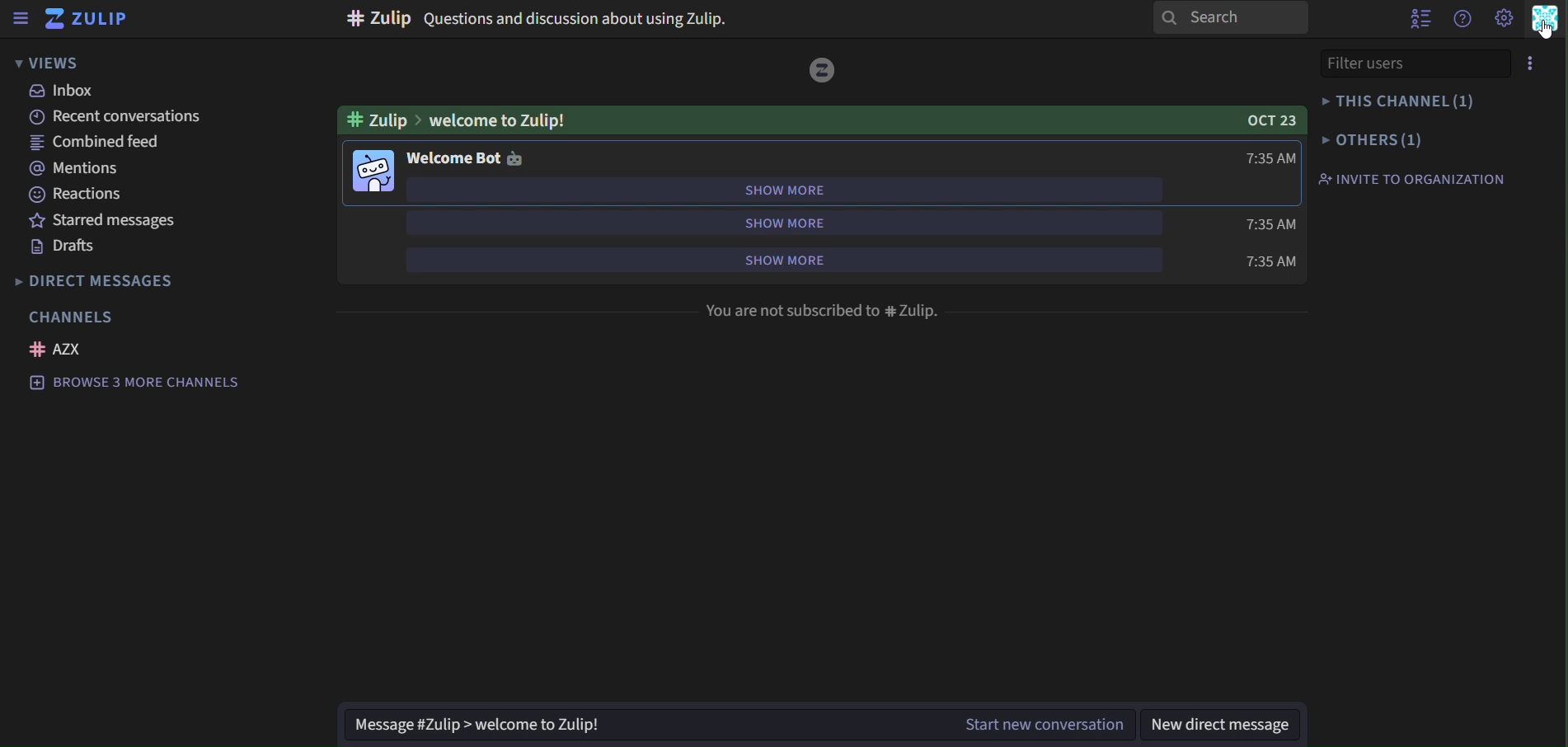  Describe the element at coordinates (791, 190) in the screenshot. I see `show more` at that location.